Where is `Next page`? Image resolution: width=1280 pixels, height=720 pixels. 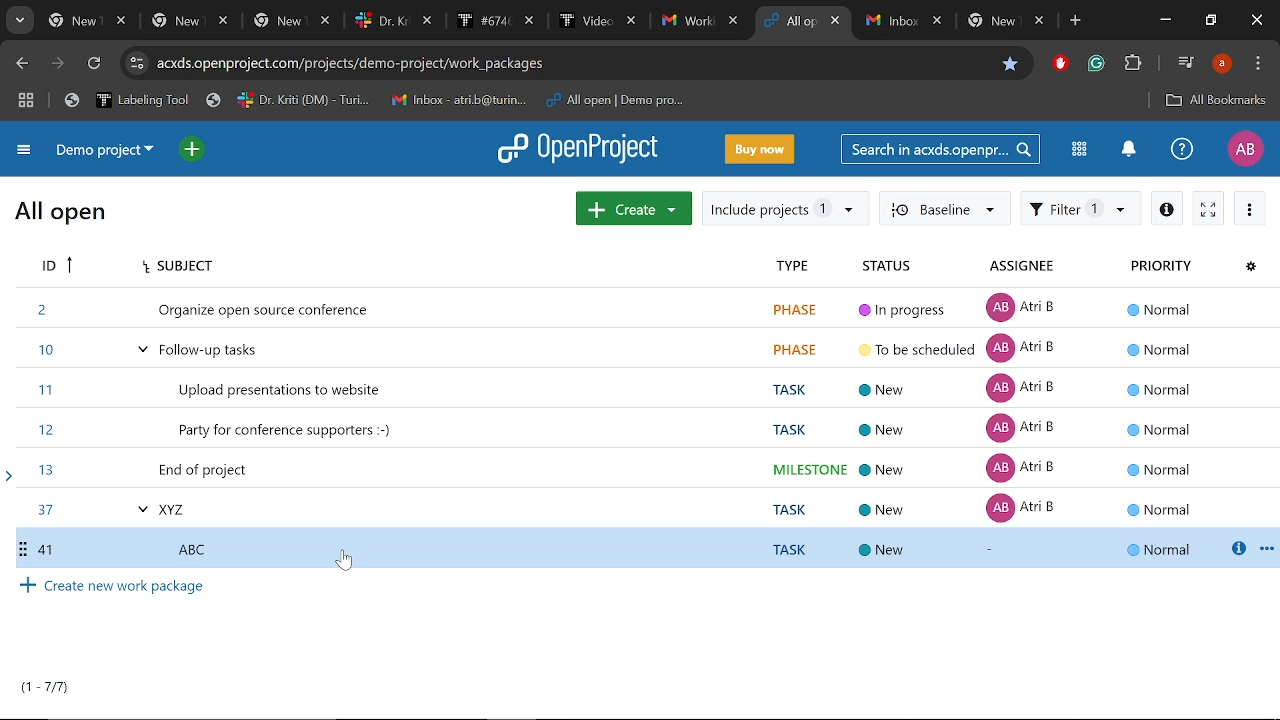 Next page is located at coordinates (58, 64).